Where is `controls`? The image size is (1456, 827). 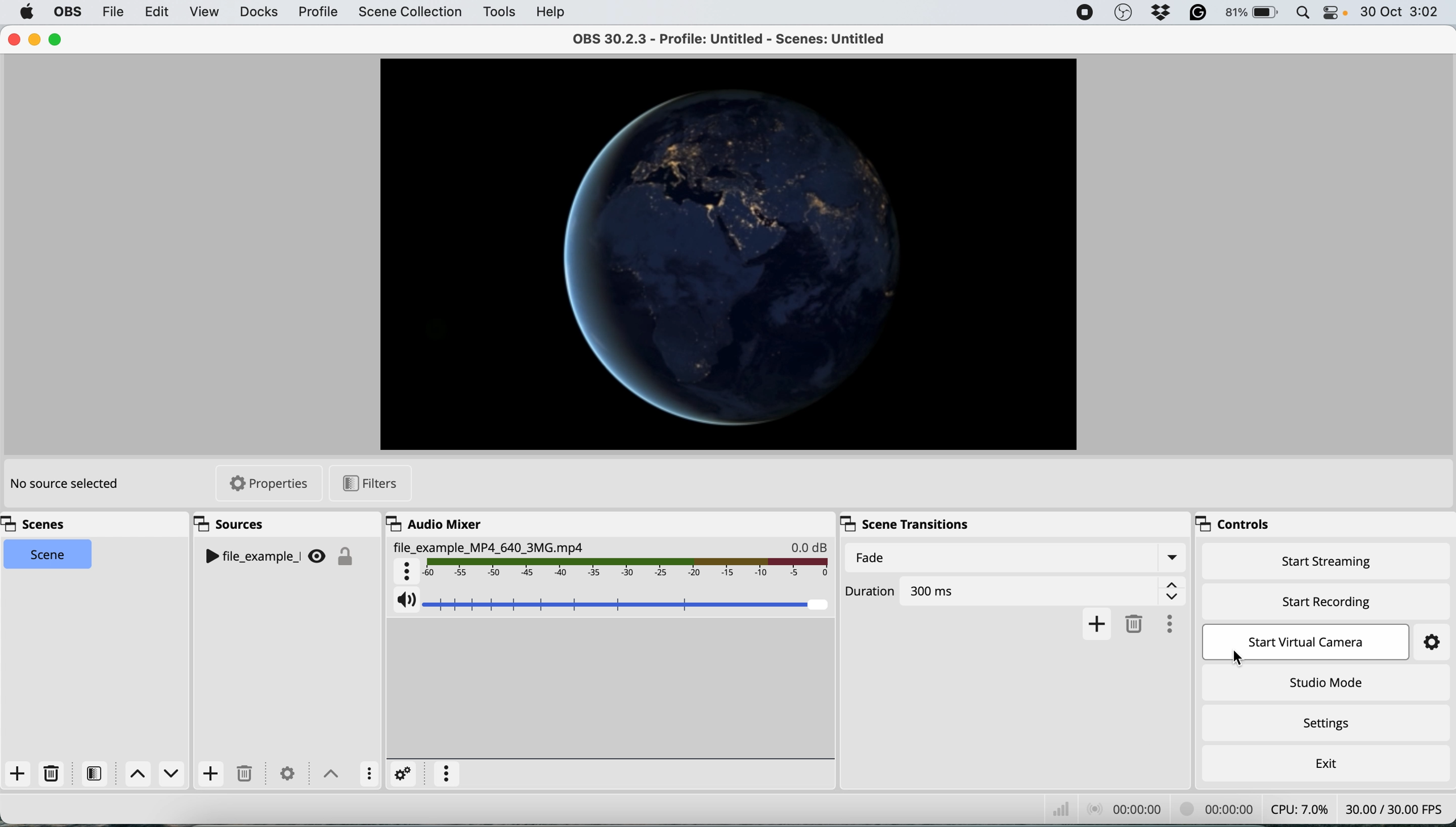 controls is located at coordinates (1232, 523).